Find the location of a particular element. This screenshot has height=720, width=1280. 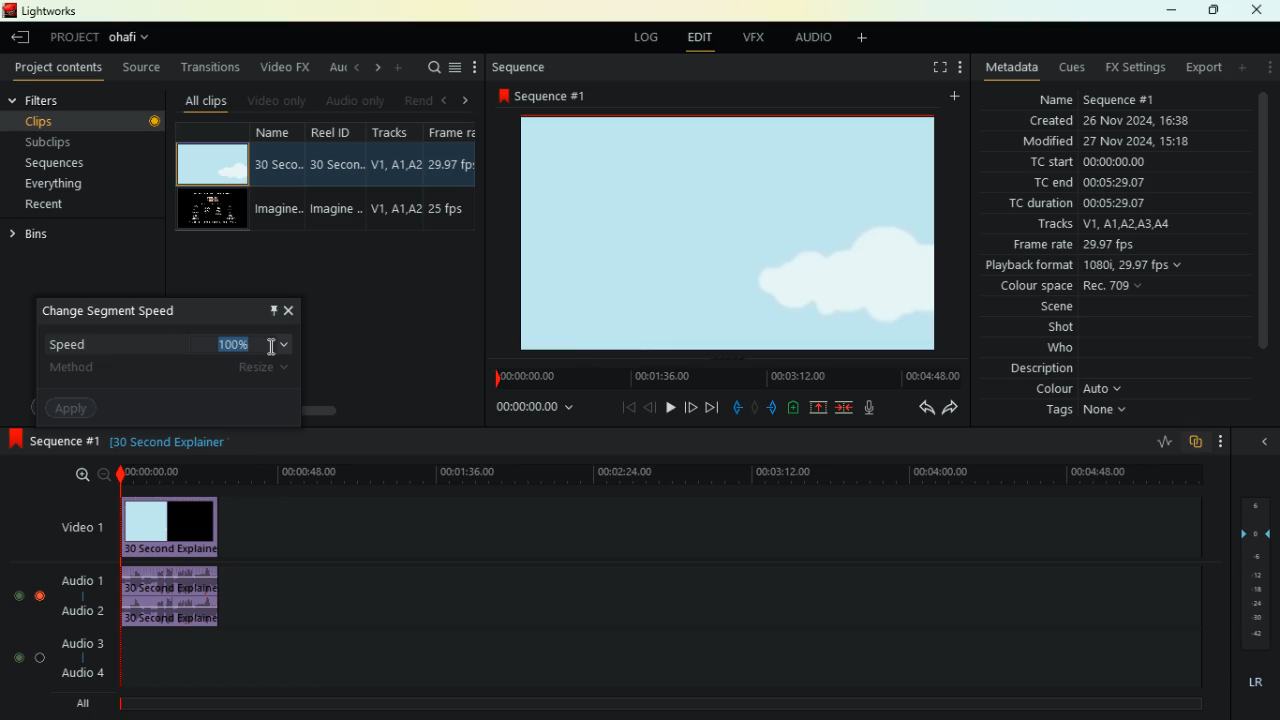

project is located at coordinates (106, 38).